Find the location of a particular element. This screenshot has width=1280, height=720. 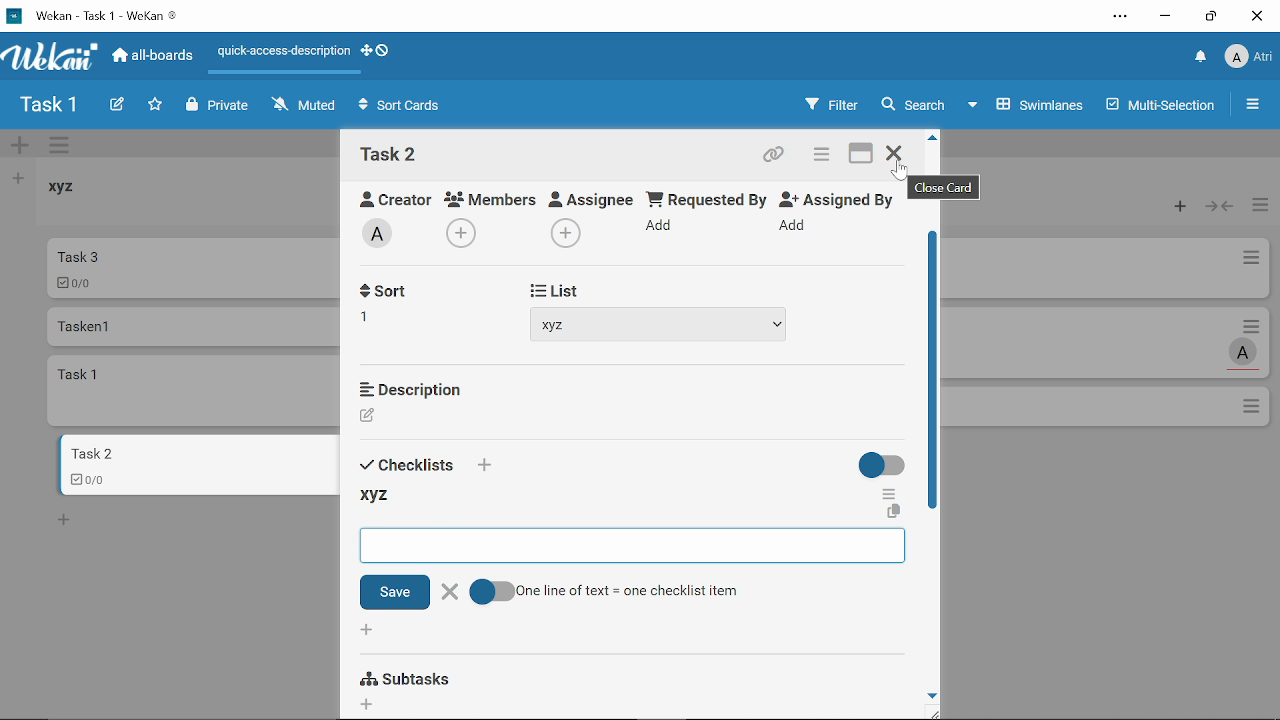

Car is located at coordinates (192, 267).